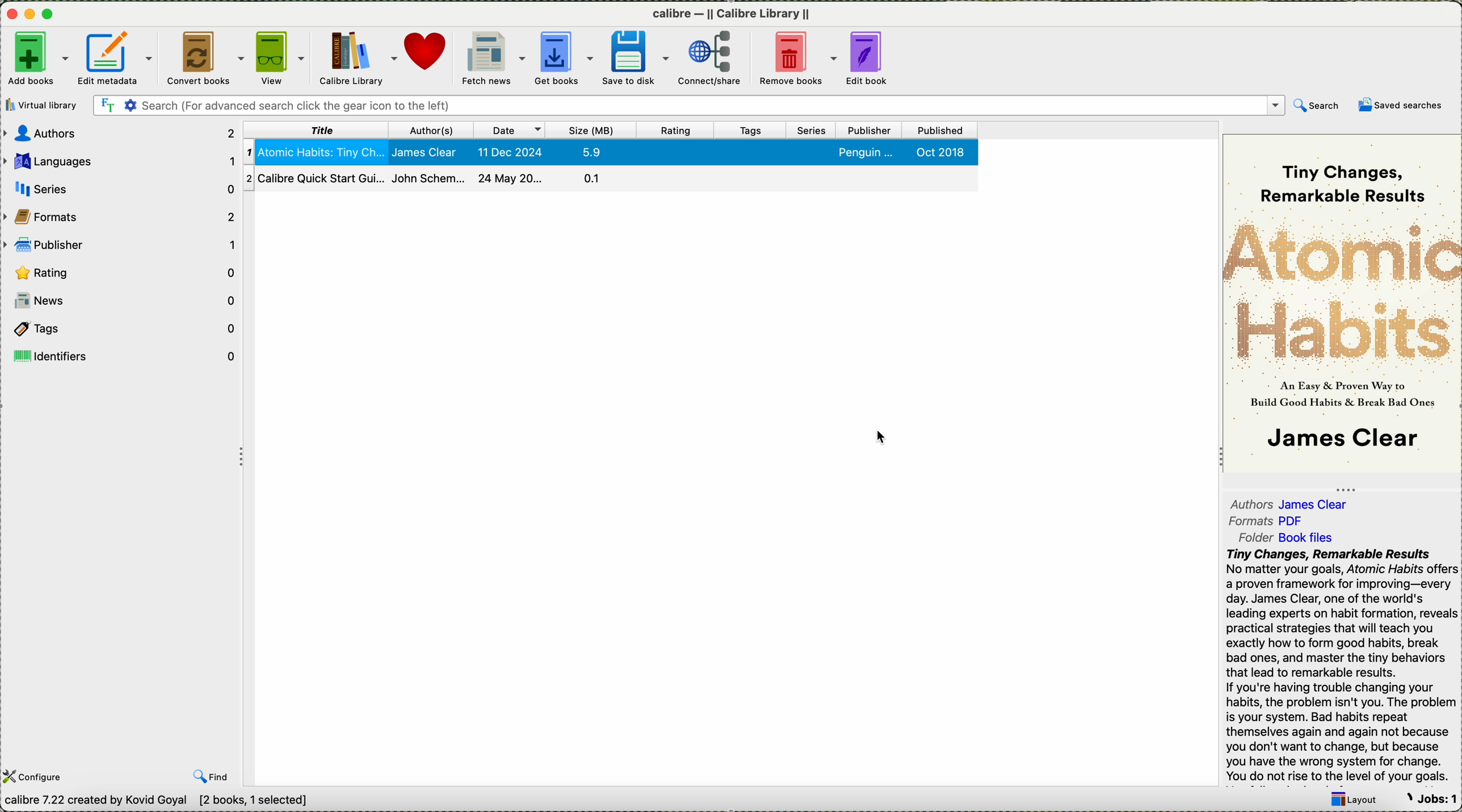 This screenshot has width=1462, height=812. I want to click on click on connect/share, so click(710, 60).